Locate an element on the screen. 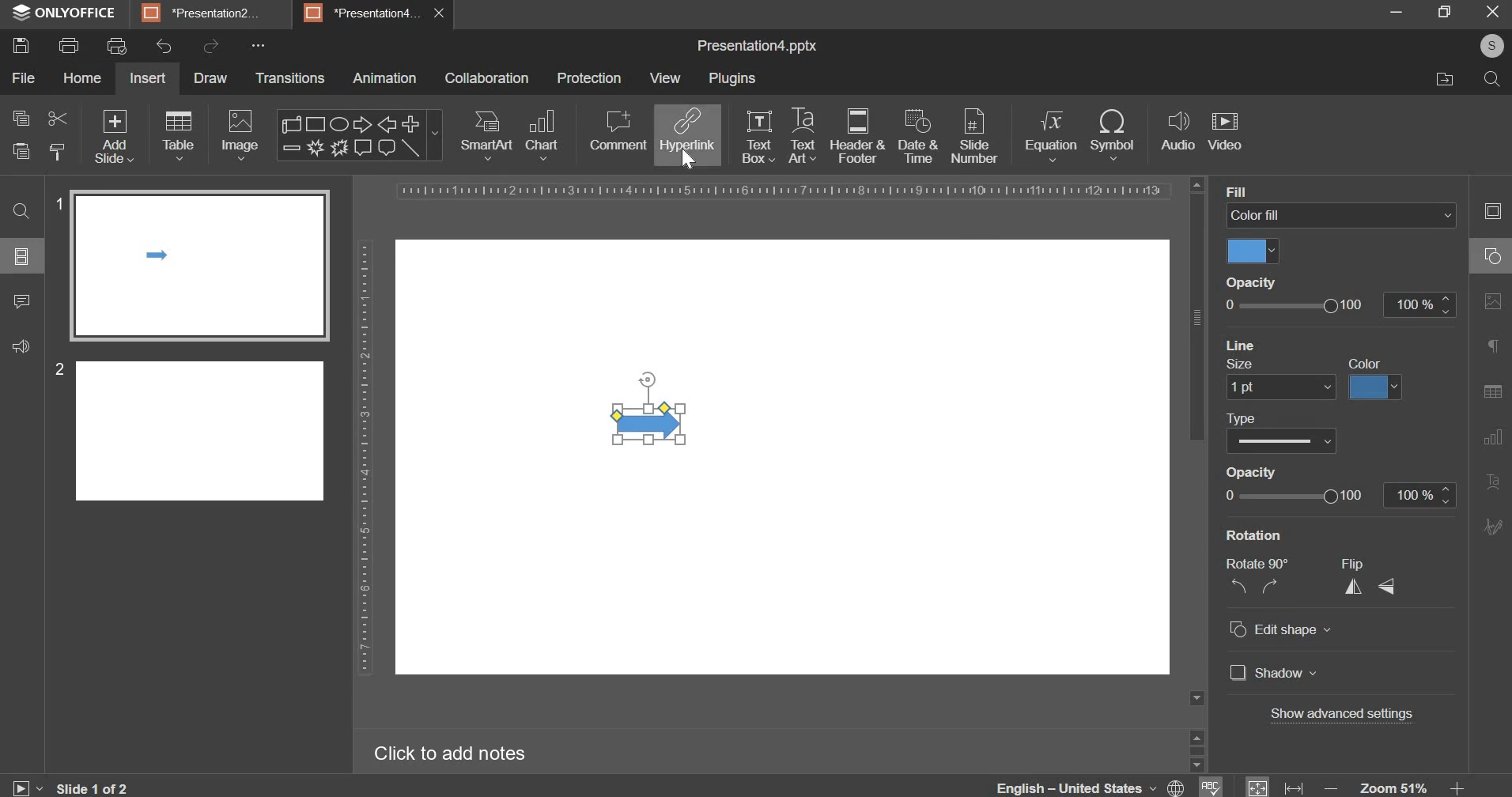 The image size is (1512, 797). comment is located at coordinates (23, 308).